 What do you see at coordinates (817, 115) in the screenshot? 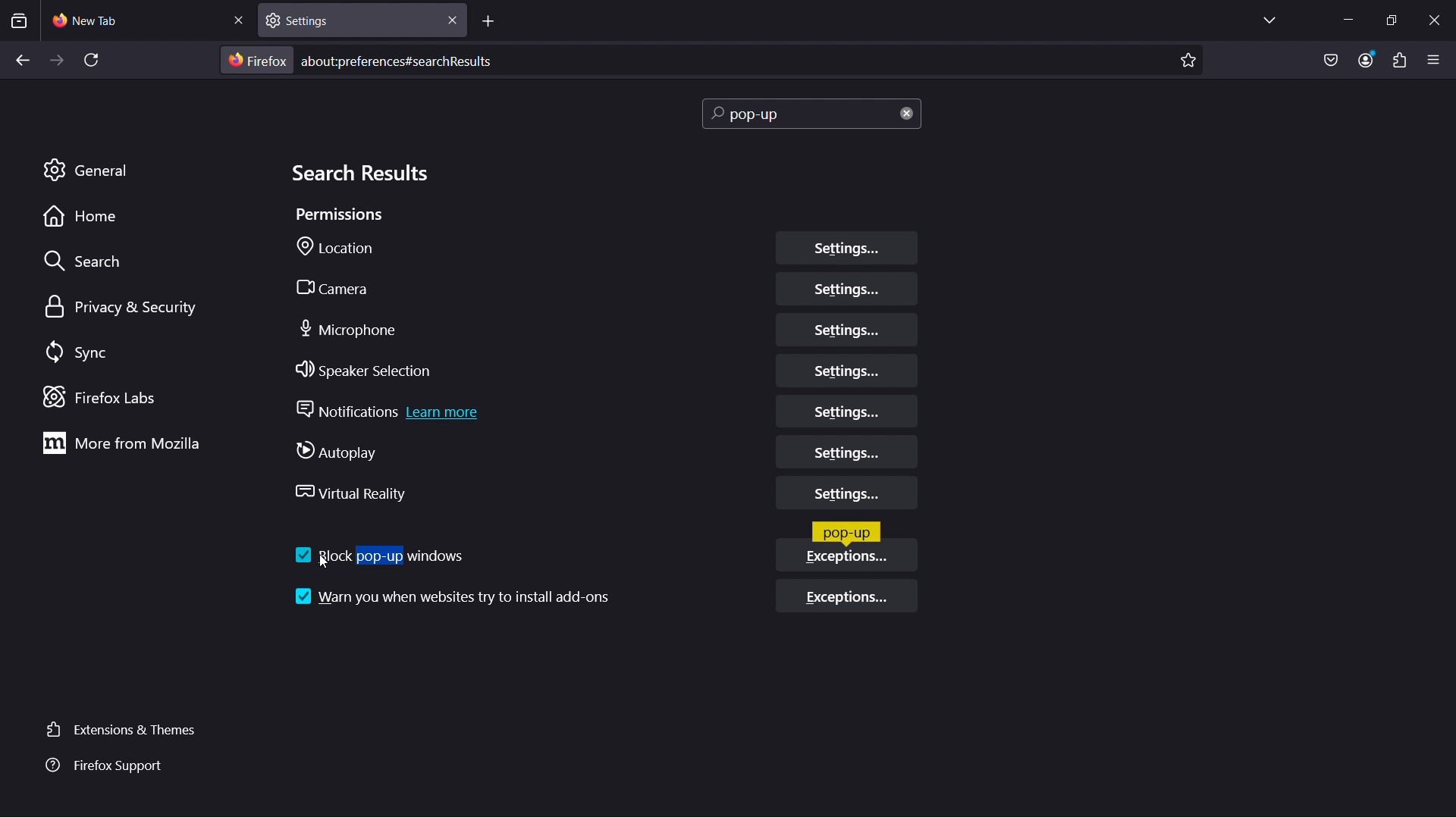
I see `Search bar (pop-up)` at bounding box center [817, 115].